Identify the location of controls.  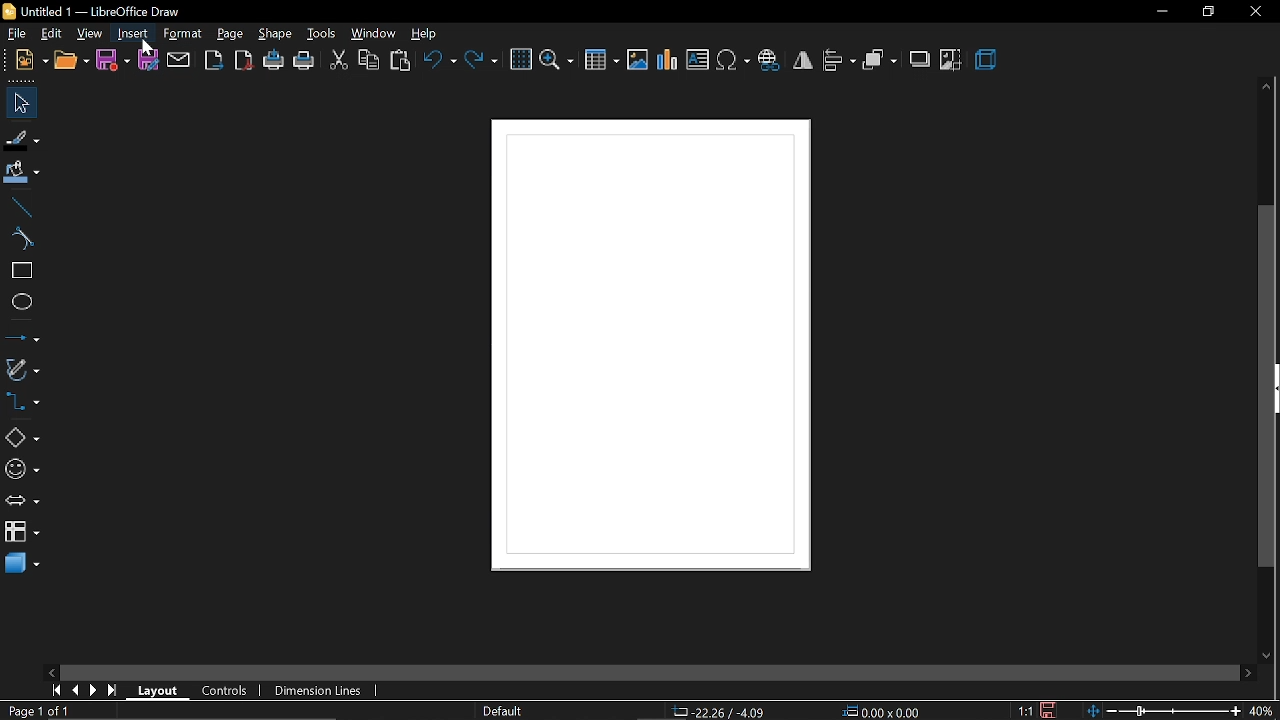
(219, 690).